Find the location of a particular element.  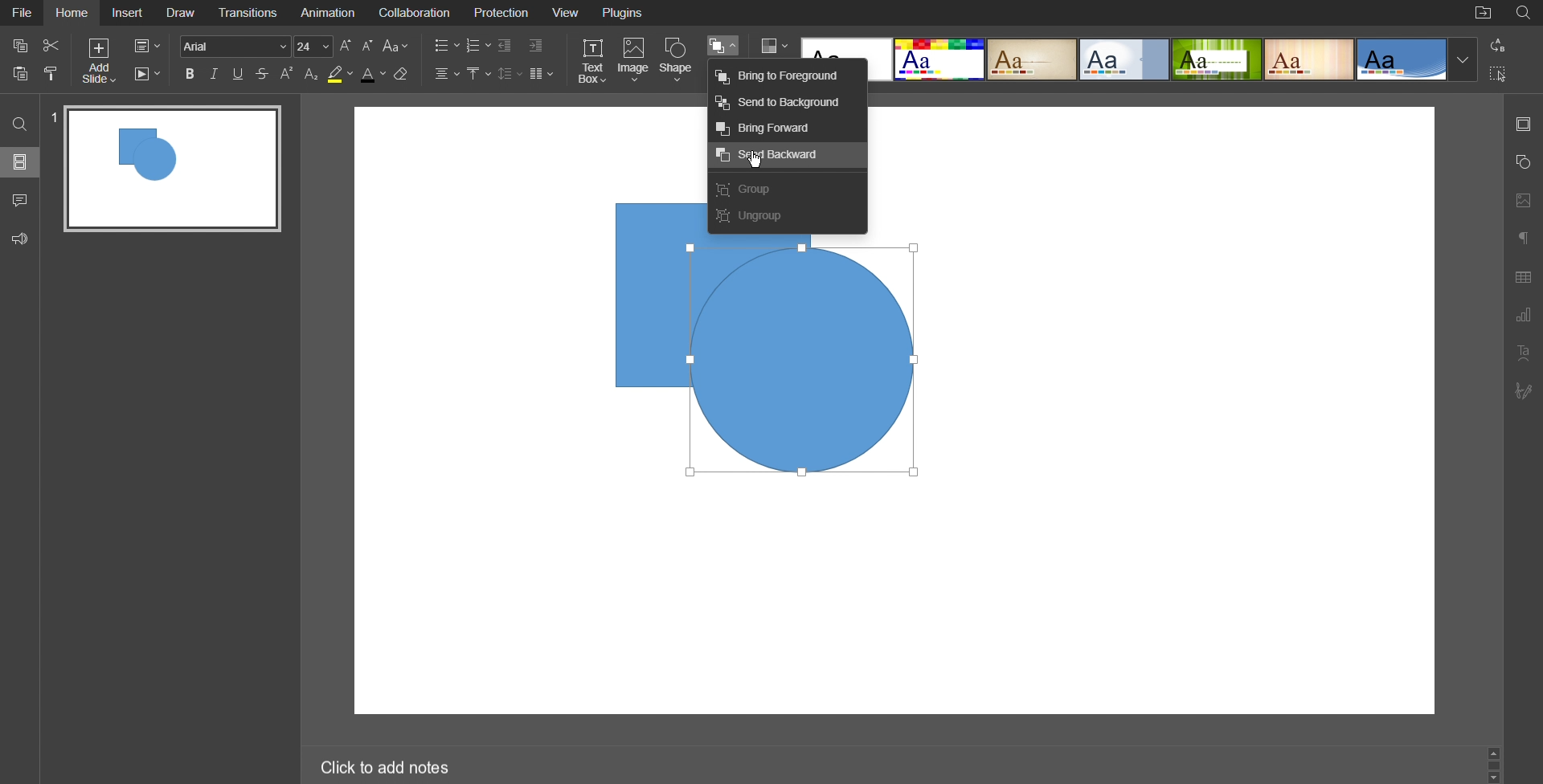

Comments is located at coordinates (18, 202).